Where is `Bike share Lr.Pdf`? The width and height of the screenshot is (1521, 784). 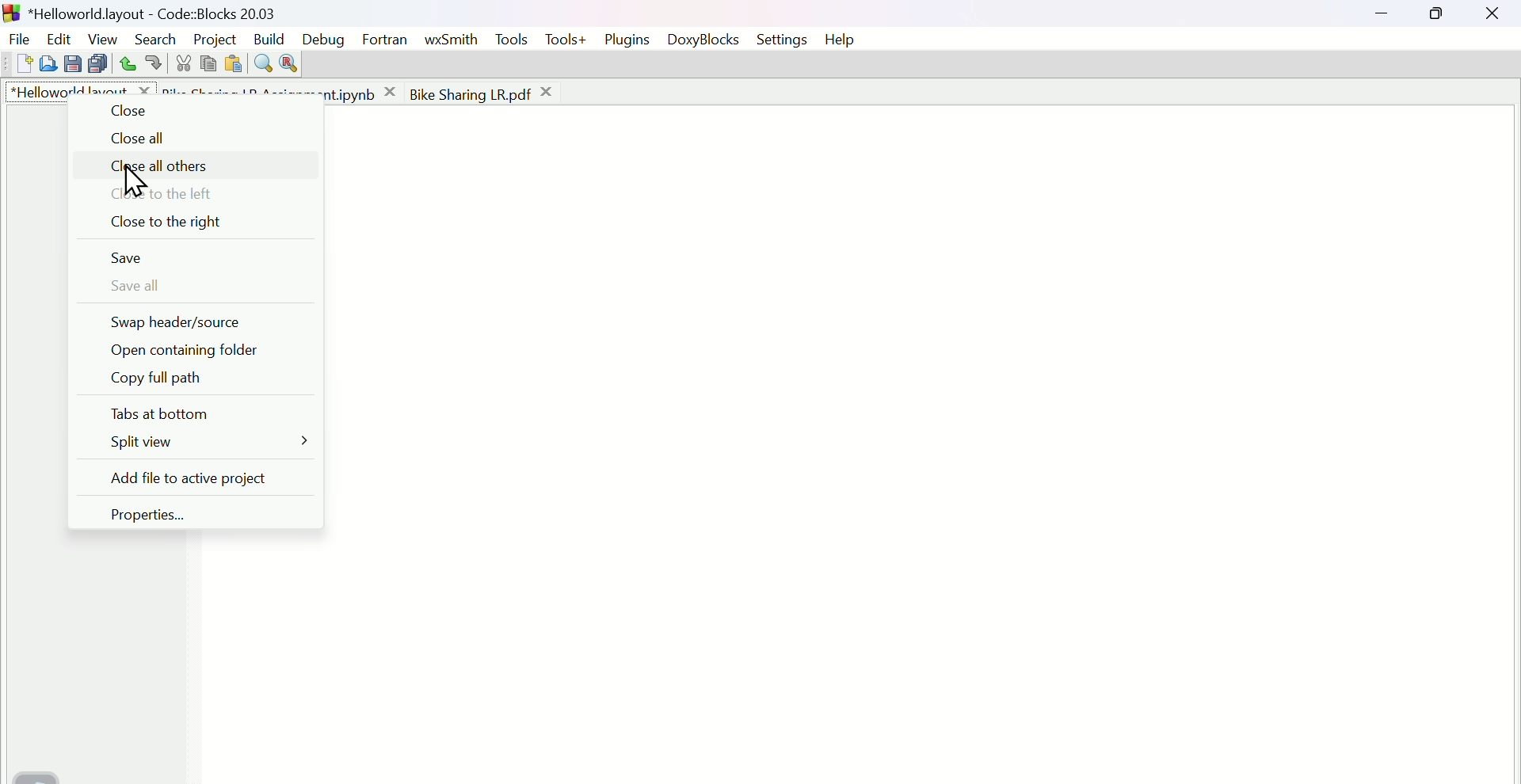
Bike share Lr.Pdf is located at coordinates (483, 93).